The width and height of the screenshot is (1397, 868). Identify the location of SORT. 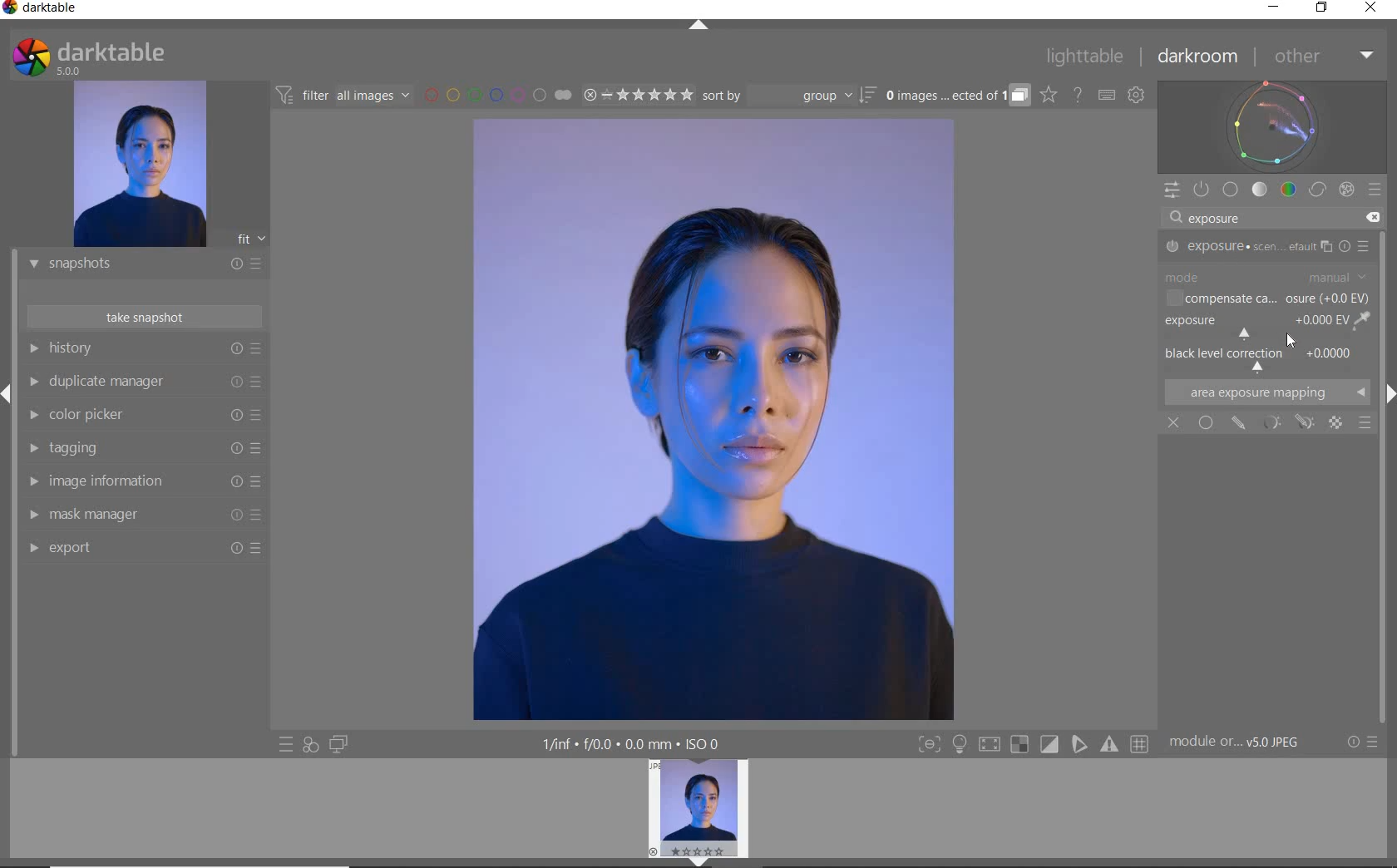
(787, 95).